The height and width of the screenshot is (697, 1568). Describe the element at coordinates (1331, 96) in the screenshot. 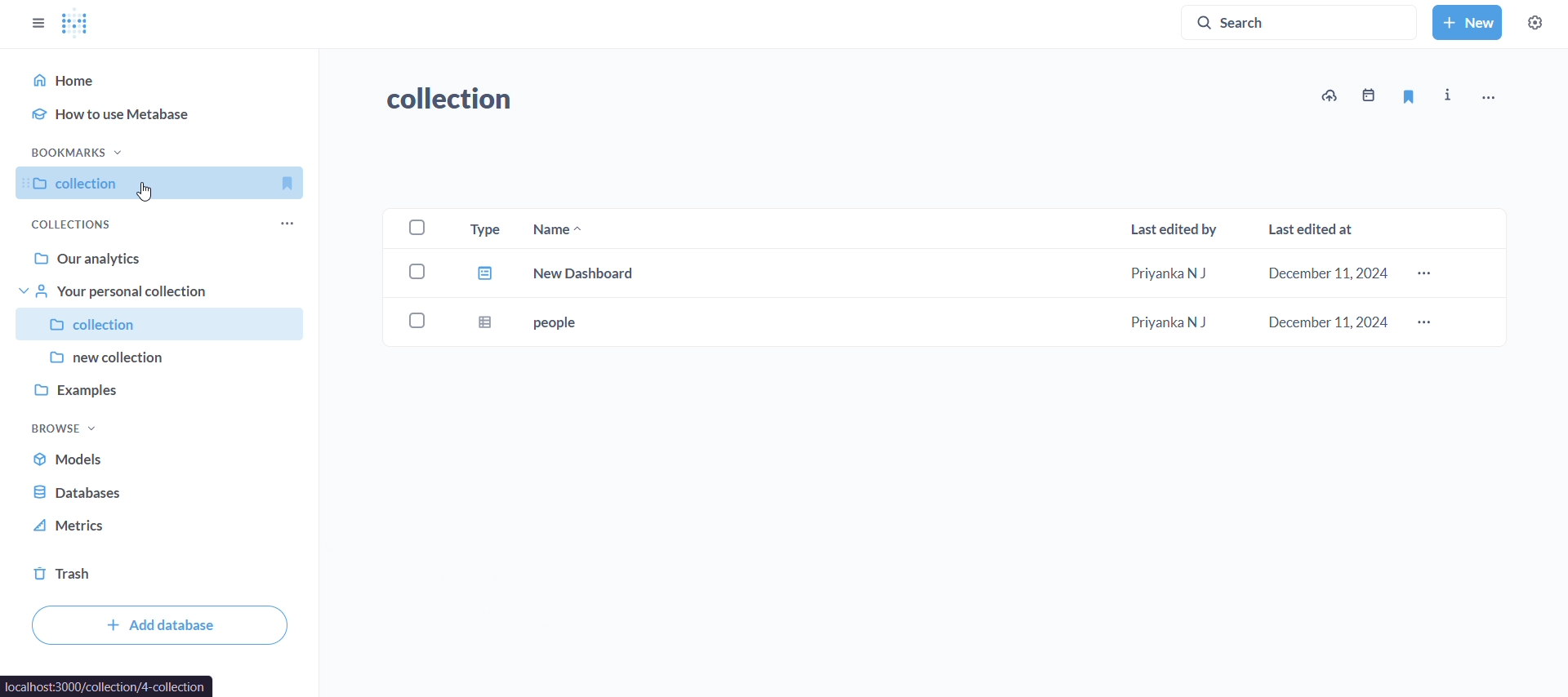

I see `upload to collection` at that location.